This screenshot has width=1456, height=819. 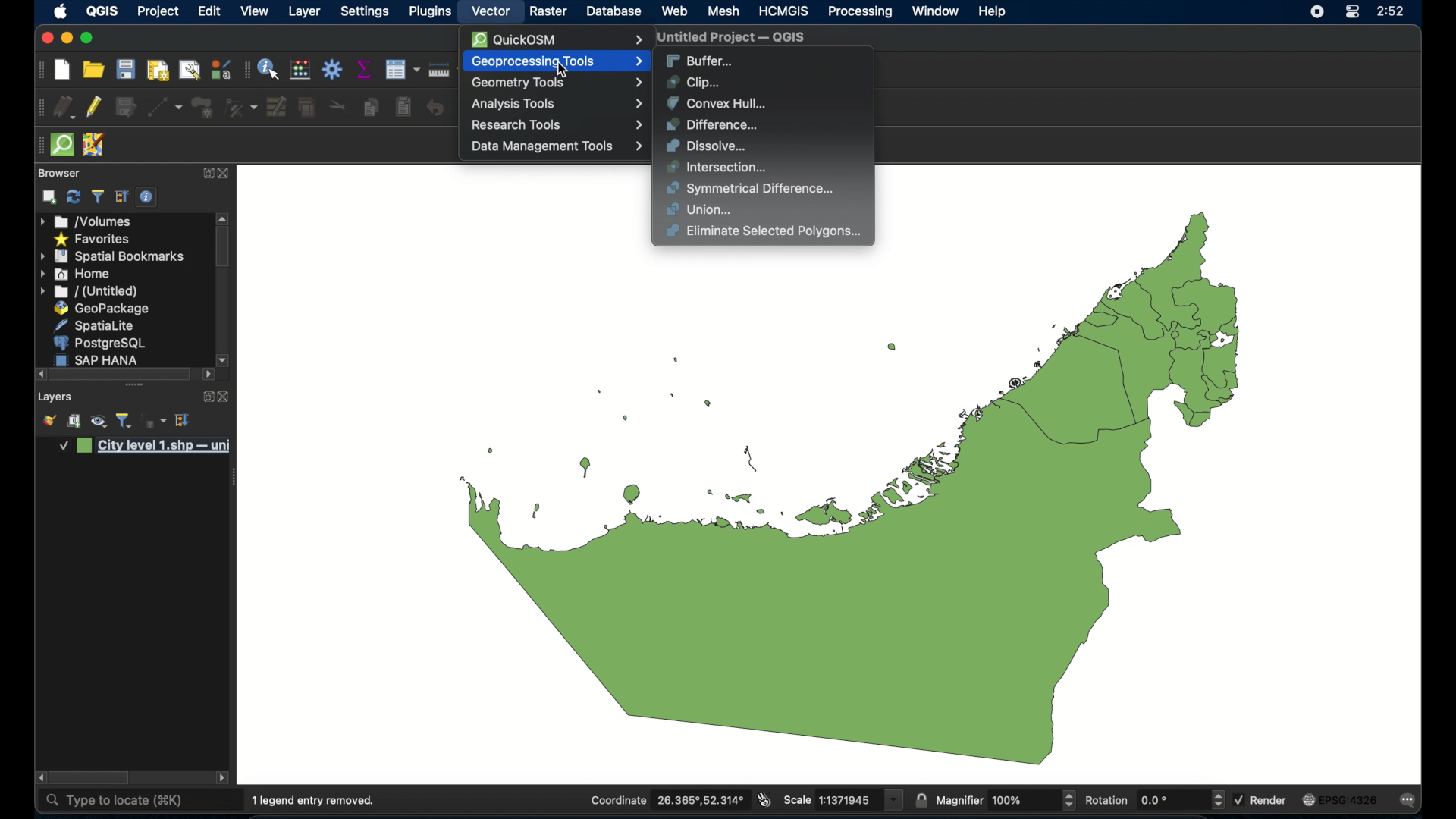 What do you see at coordinates (556, 146) in the screenshot?
I see `data management tools menu` at bounding box center [556, 146].